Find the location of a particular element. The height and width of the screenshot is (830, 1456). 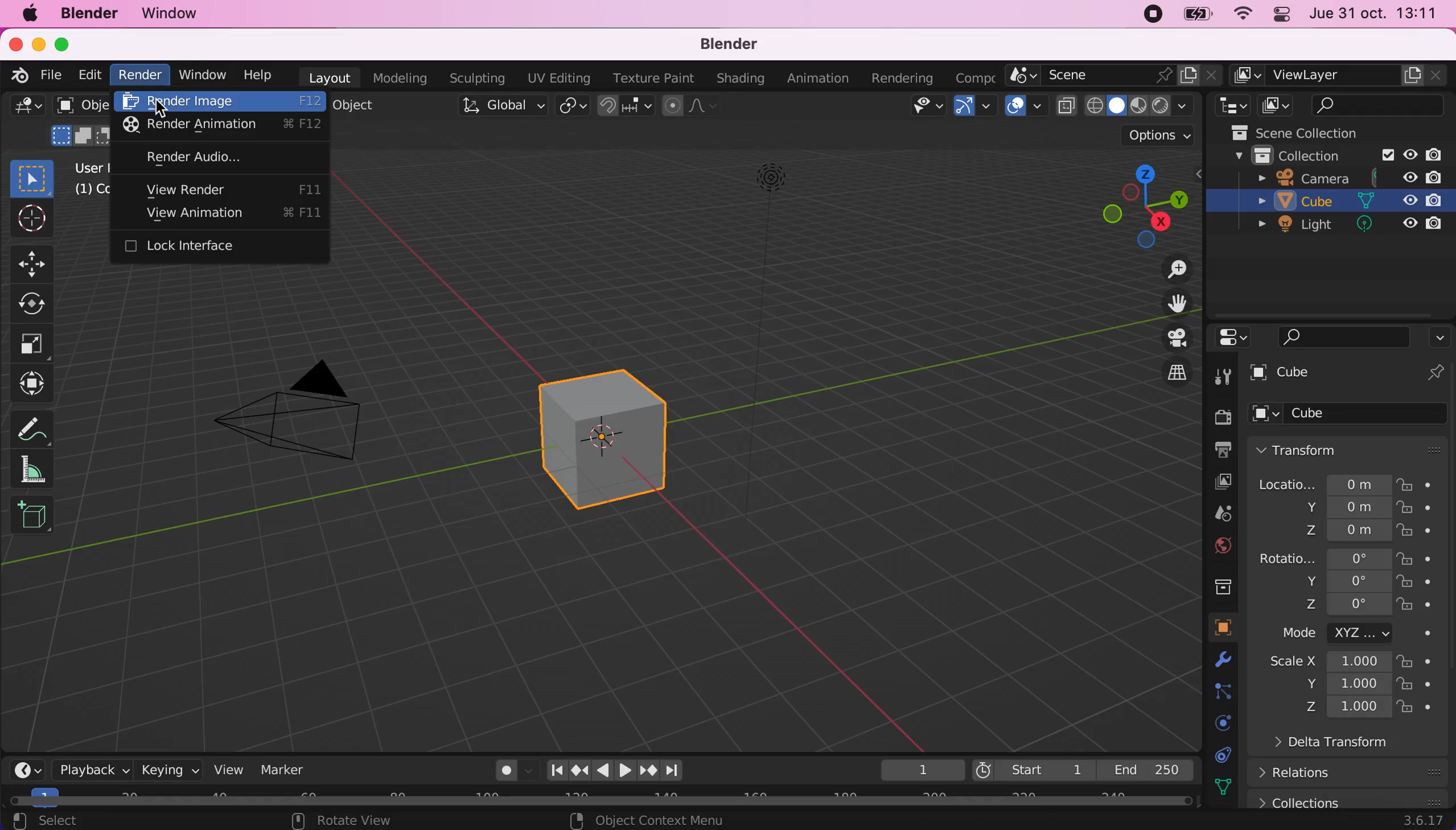

layout is located at coordinates (331, 78).